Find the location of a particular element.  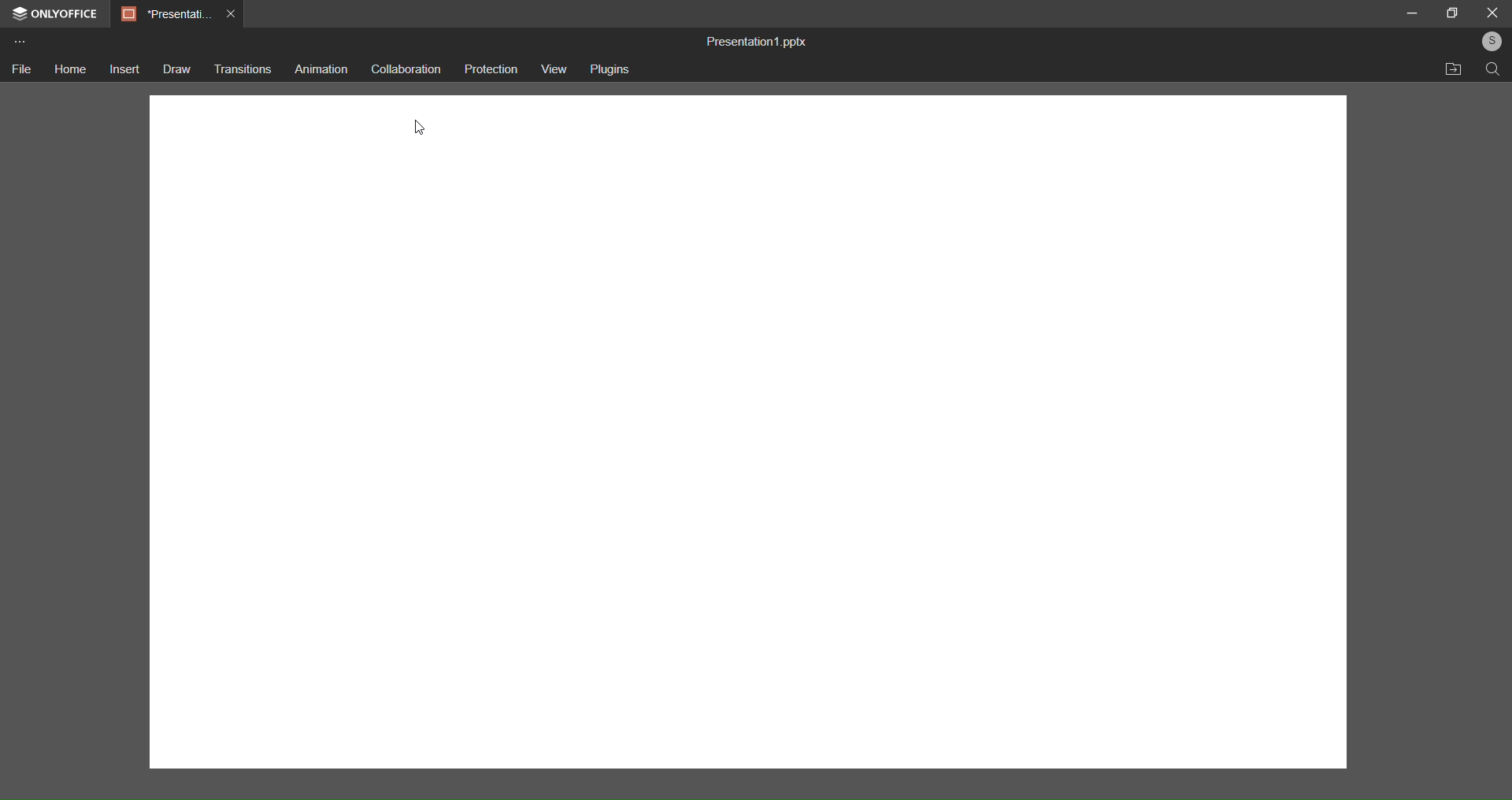

protection is located at coordinates (492, 72).